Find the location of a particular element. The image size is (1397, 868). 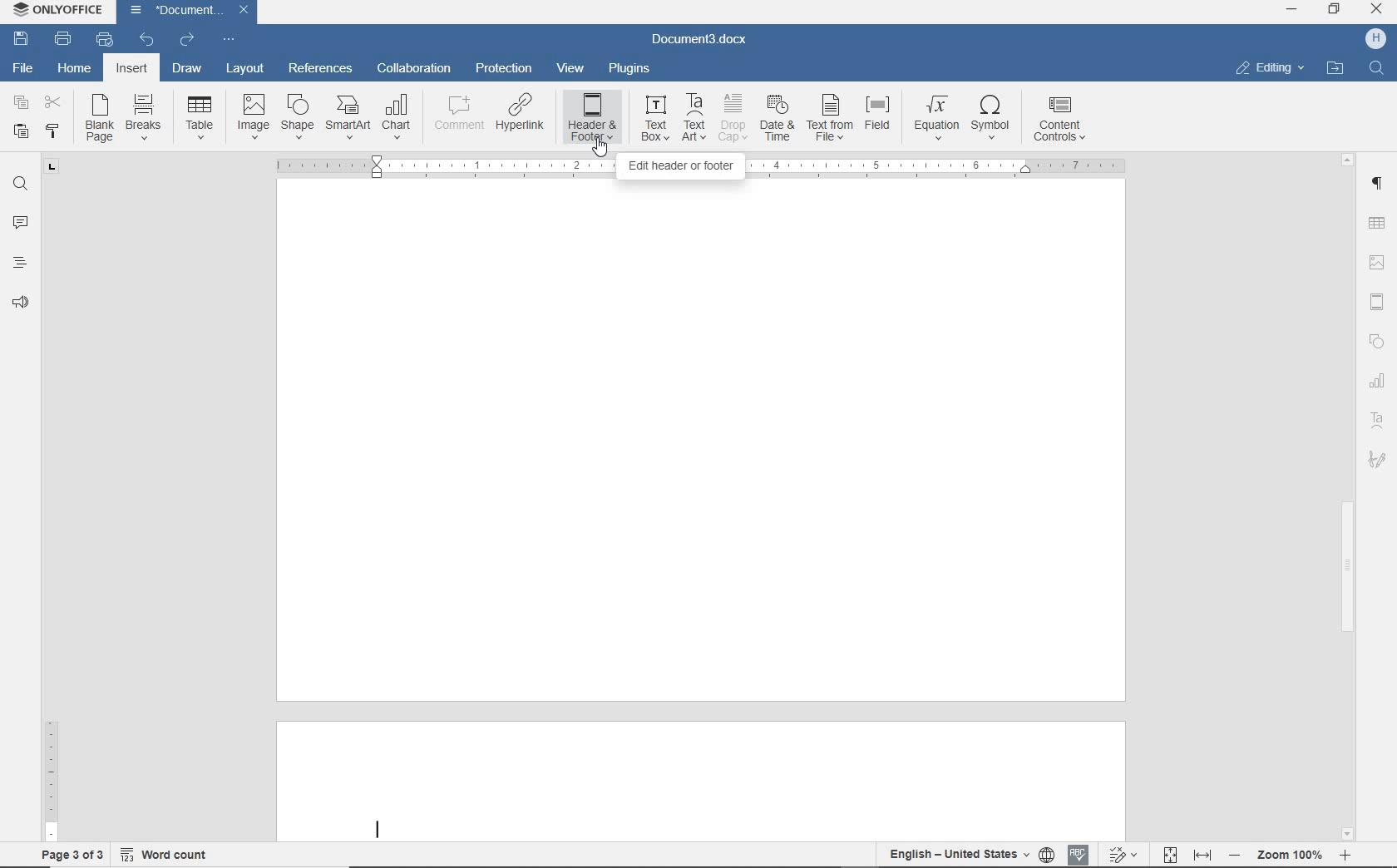

COMMENTS is located at coordinates (20, 221).